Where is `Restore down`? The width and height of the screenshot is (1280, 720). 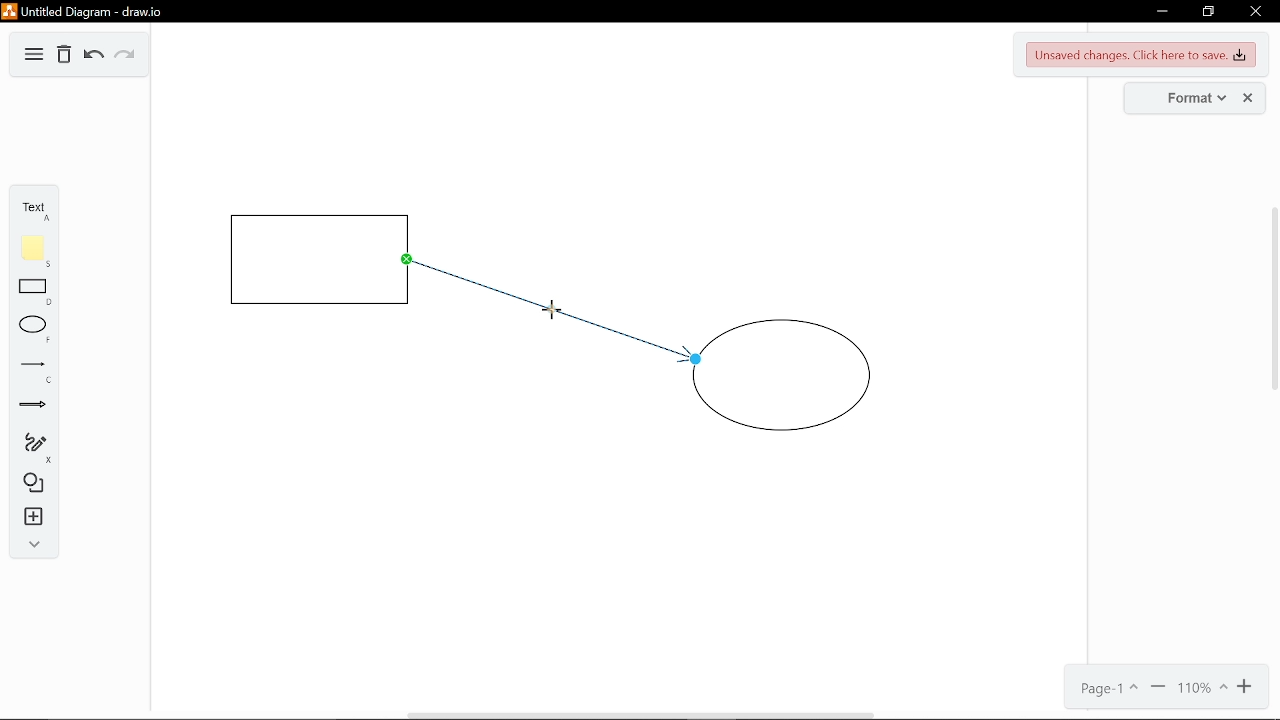
Restore down is located at coordinates (1209, 11).